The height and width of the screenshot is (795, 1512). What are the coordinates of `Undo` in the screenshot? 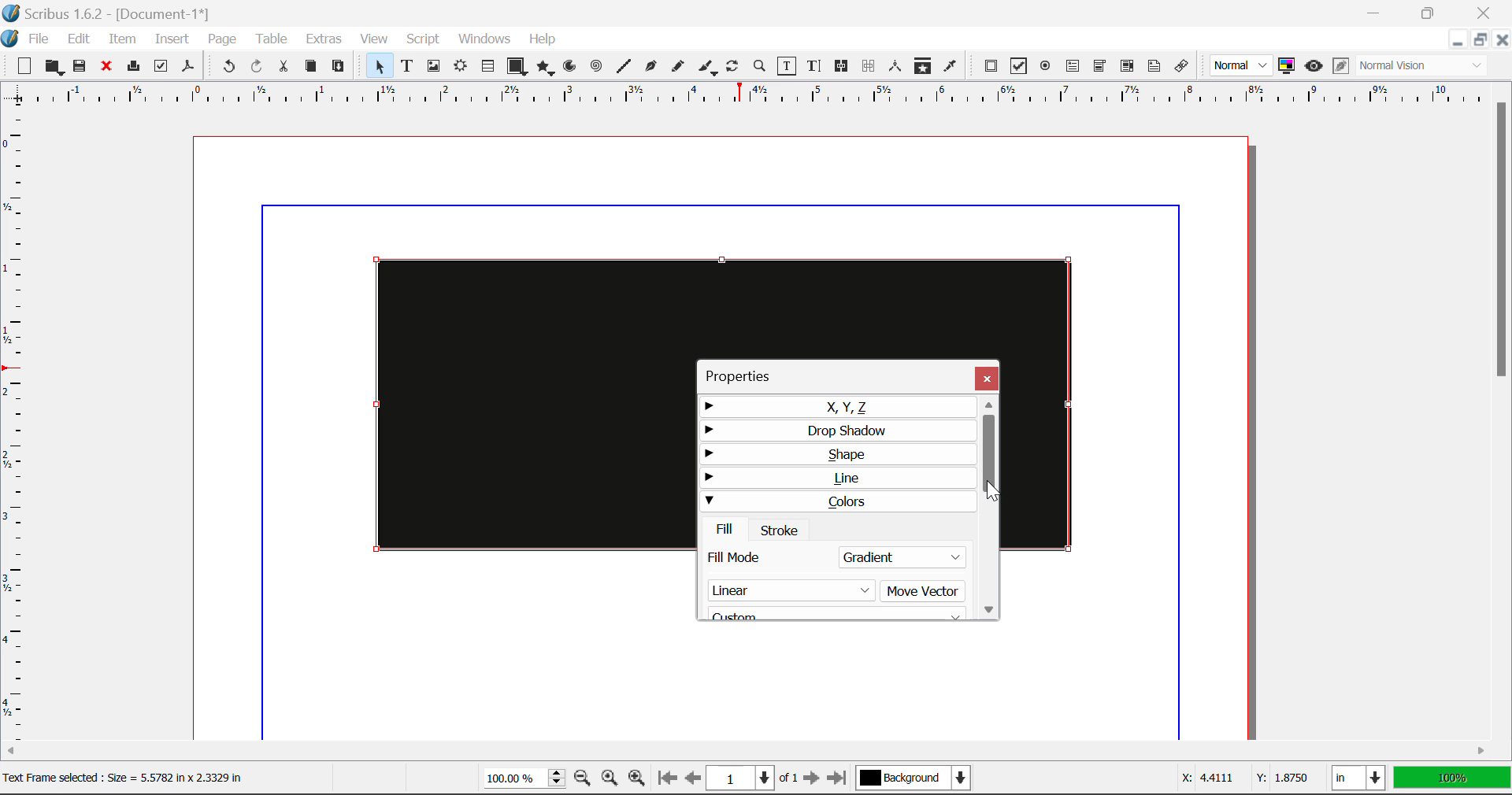 It's located at (228, 68).